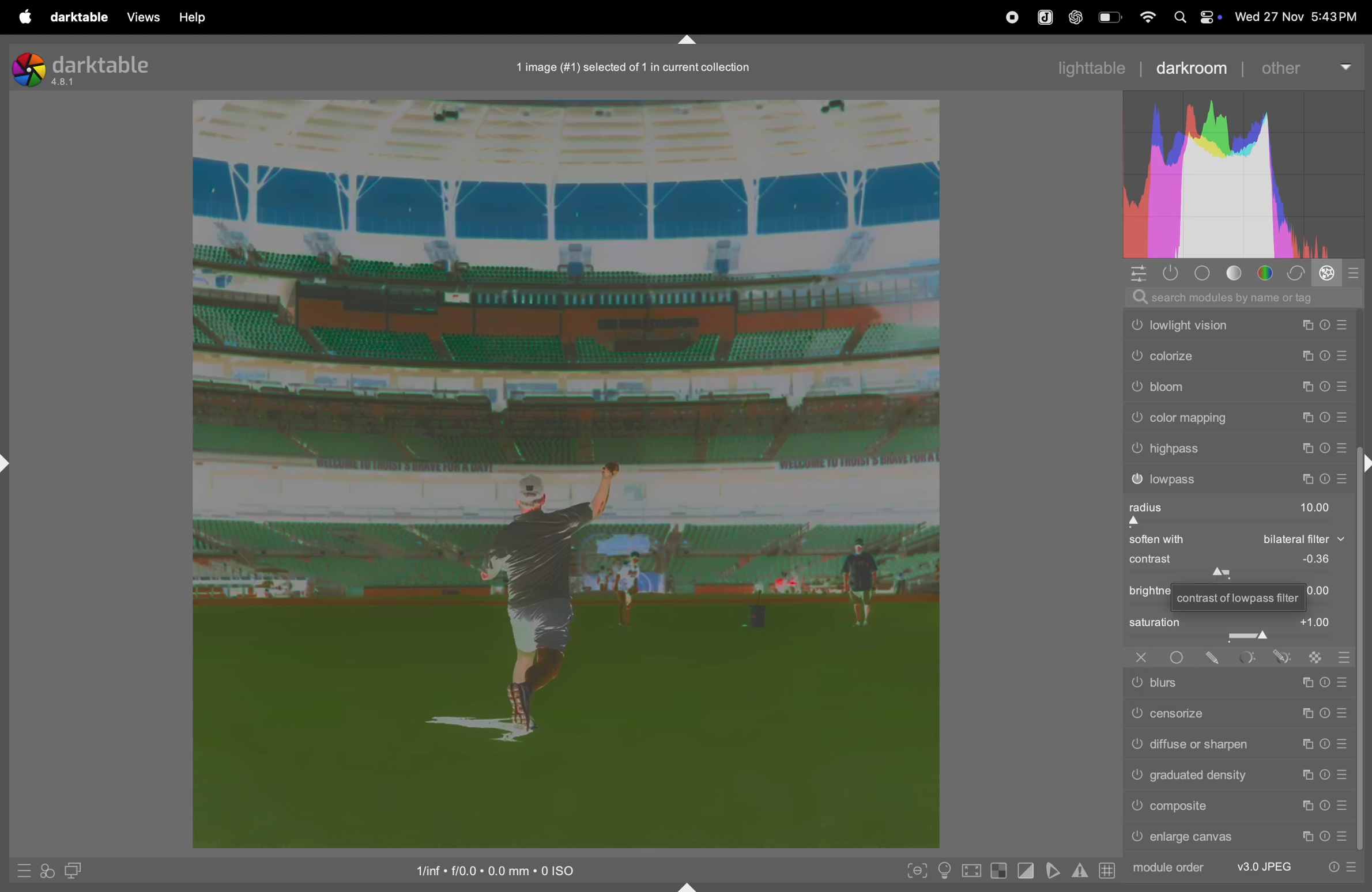 The image size is (1372, 892). Describe the element at coordinates (1095, 65) in the screenshot. I see `lighttable` at that location.